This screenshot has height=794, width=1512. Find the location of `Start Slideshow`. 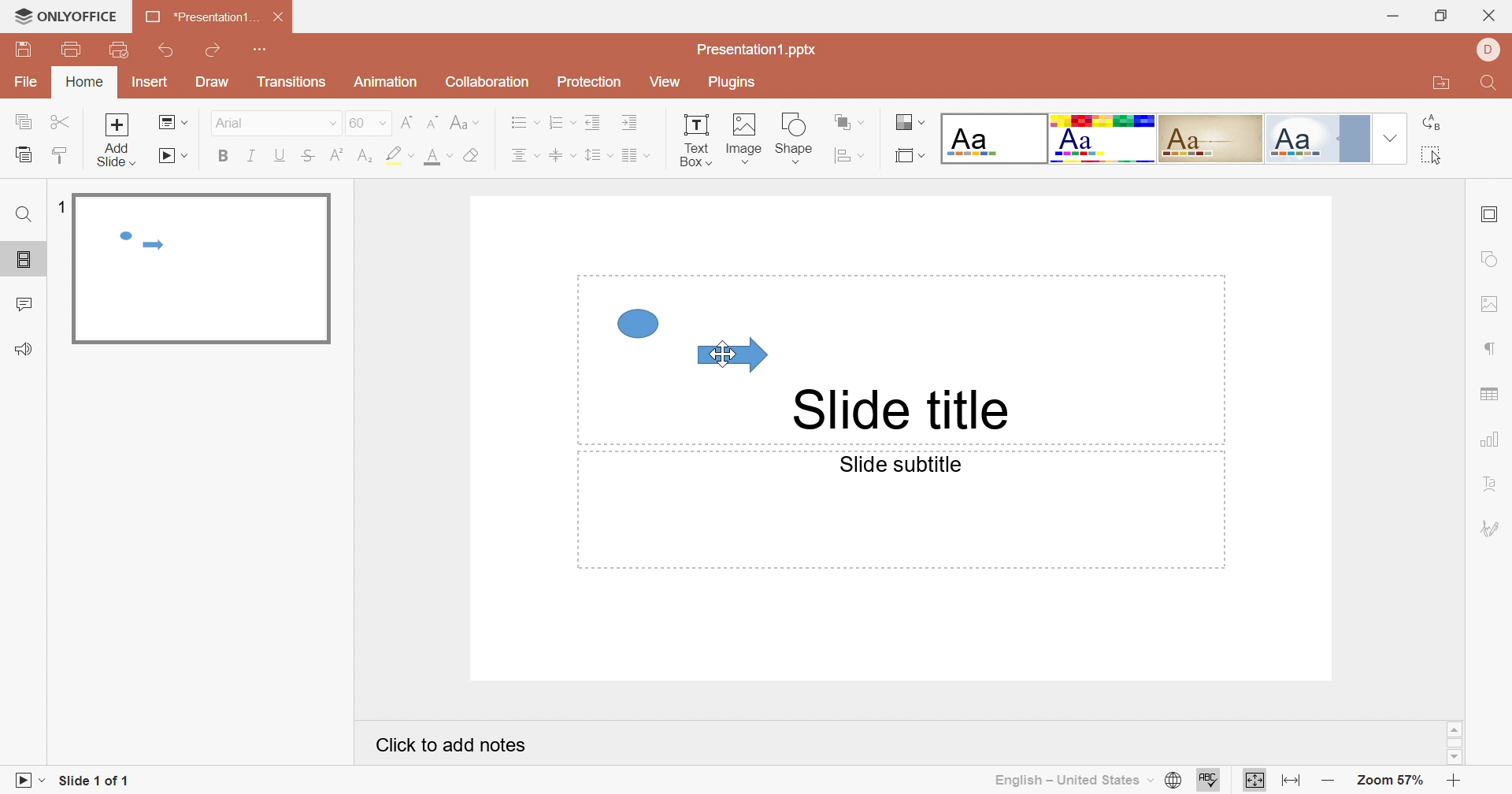

Start Slideshow is located at coordinates (23, 781).